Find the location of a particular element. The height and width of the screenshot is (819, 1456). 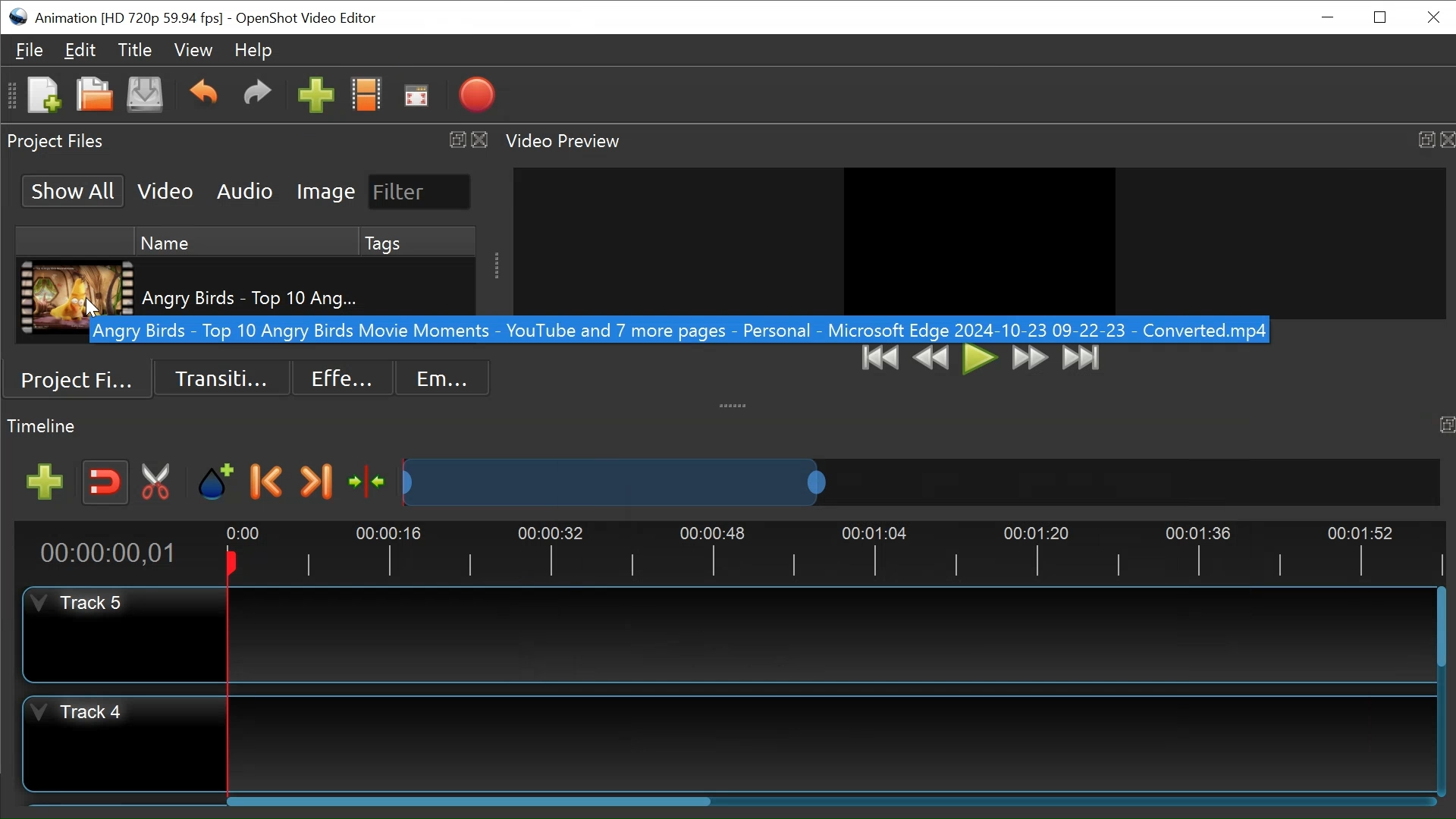

Project Files Panel is located at coordinates (58, 143).